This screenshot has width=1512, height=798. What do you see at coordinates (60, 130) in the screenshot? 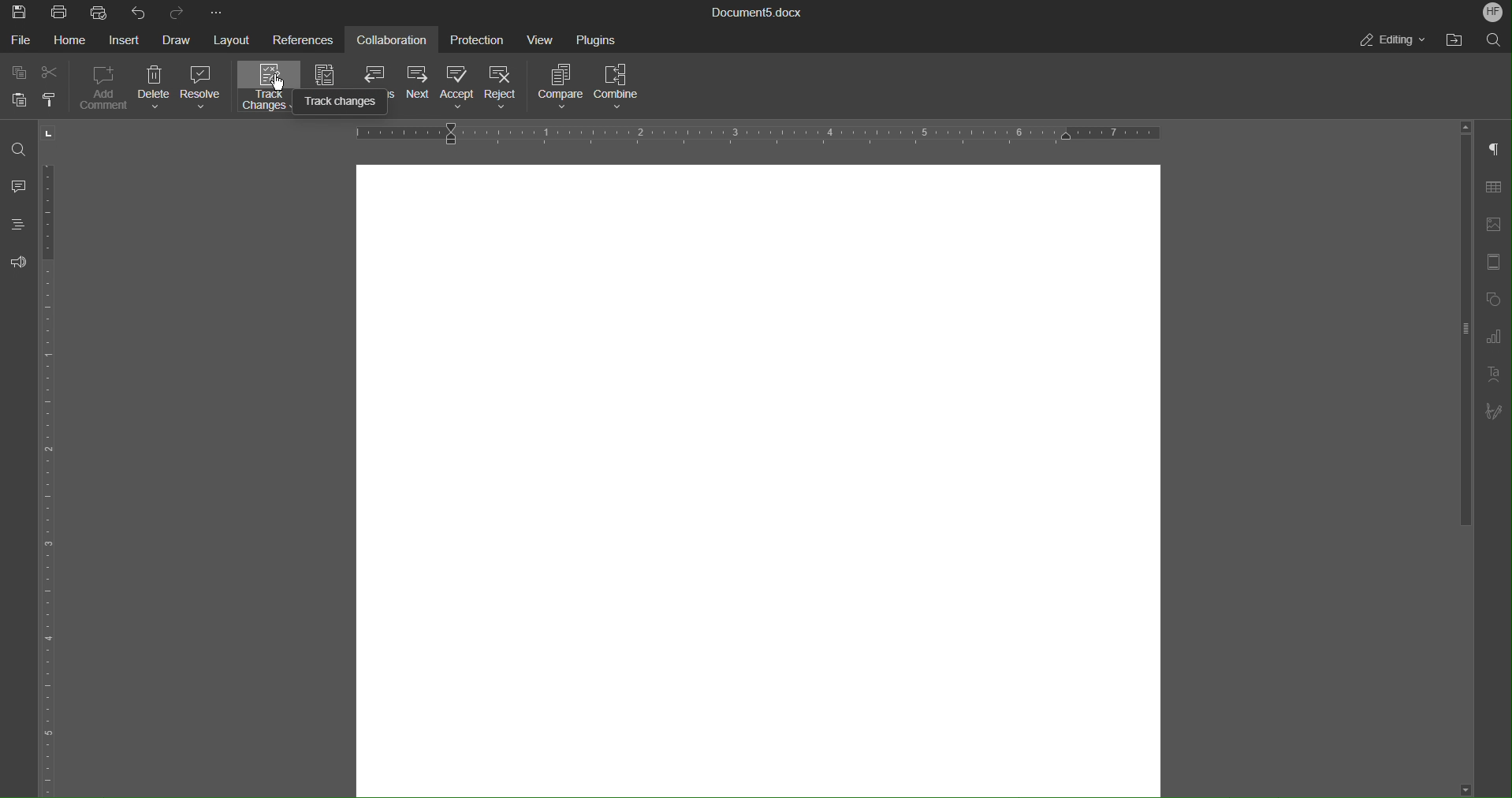
I see `cursor` at bounding box center [60, 130].